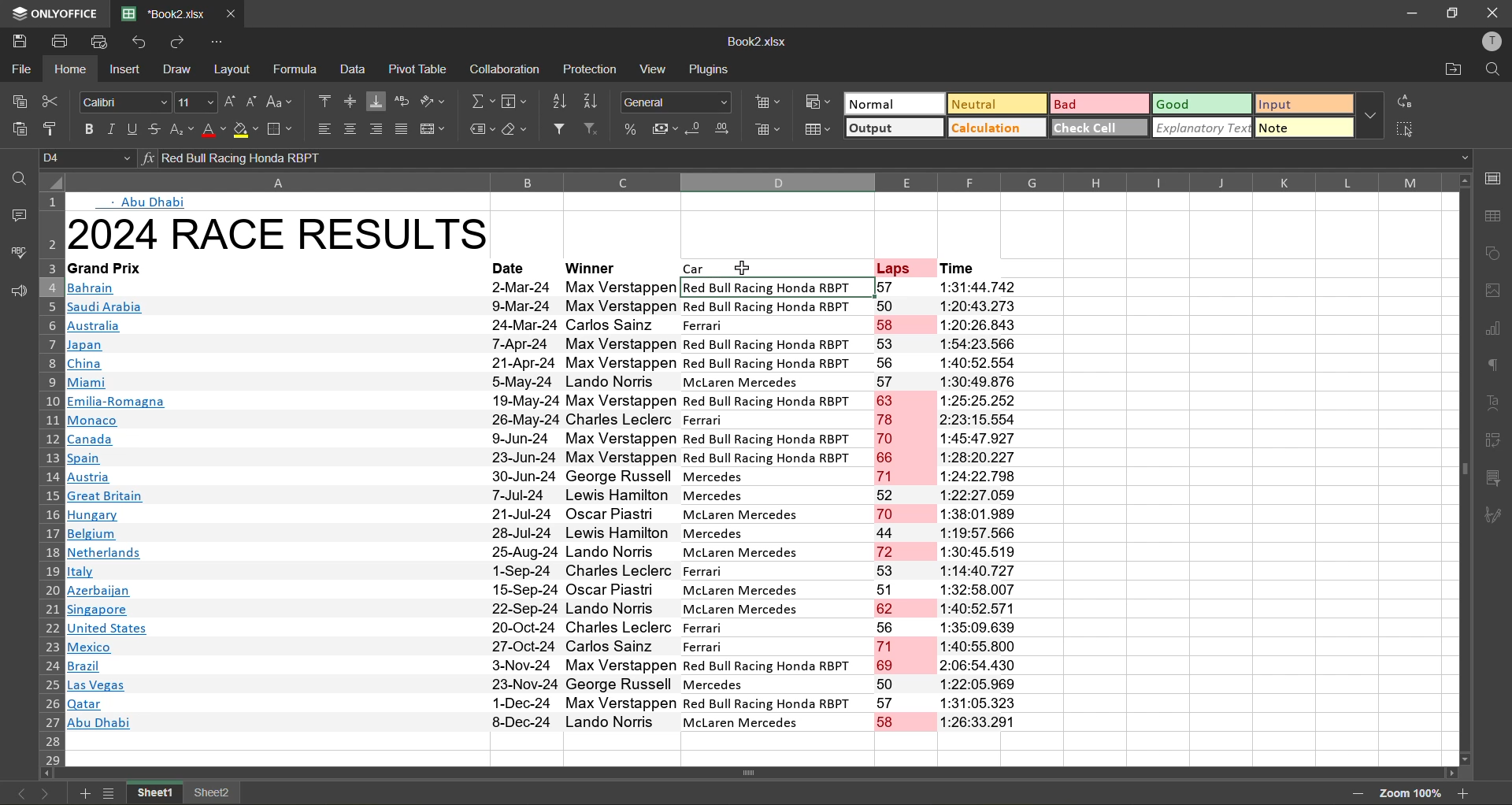 This screenshot has height=805, width=1512. What do you see at coordinates (1496, 218) in the screenshot?
I see `table` at bounding box center [1496, 218].